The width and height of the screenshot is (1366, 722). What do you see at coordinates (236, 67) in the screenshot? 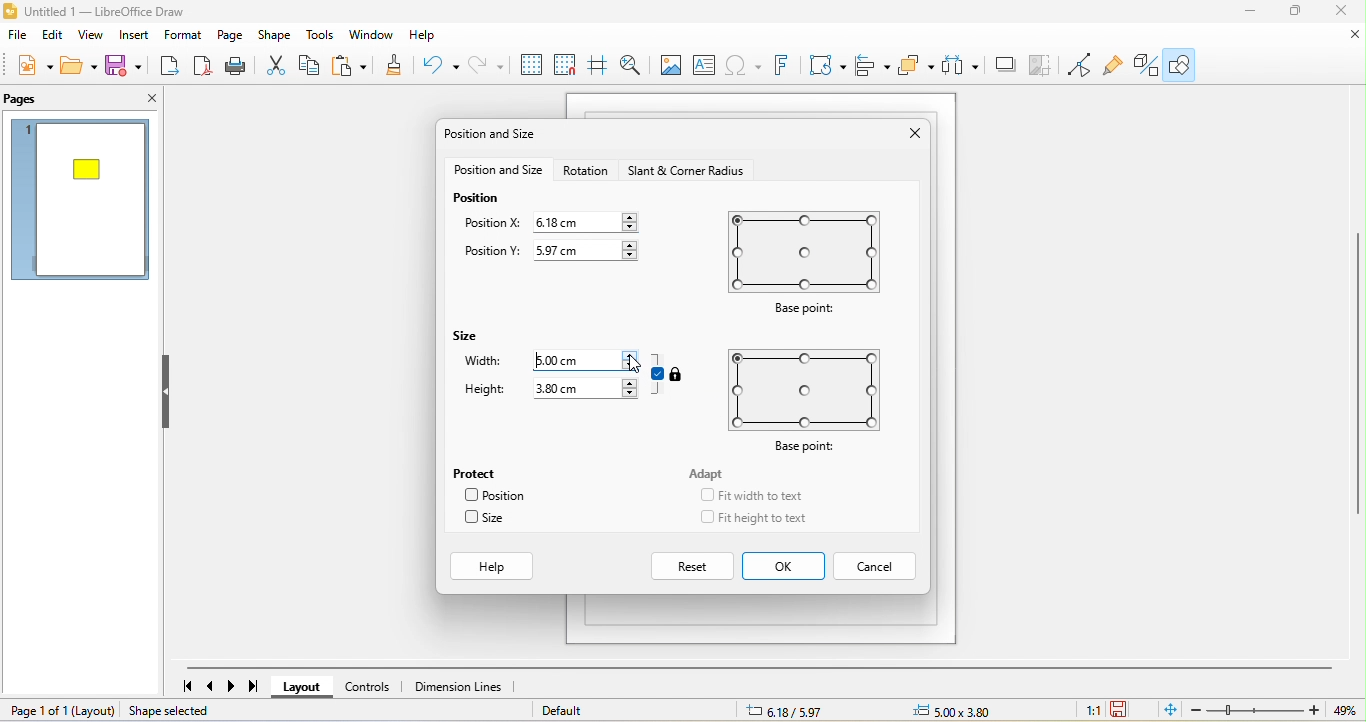
I see `print` at bounding box center [236, 67].